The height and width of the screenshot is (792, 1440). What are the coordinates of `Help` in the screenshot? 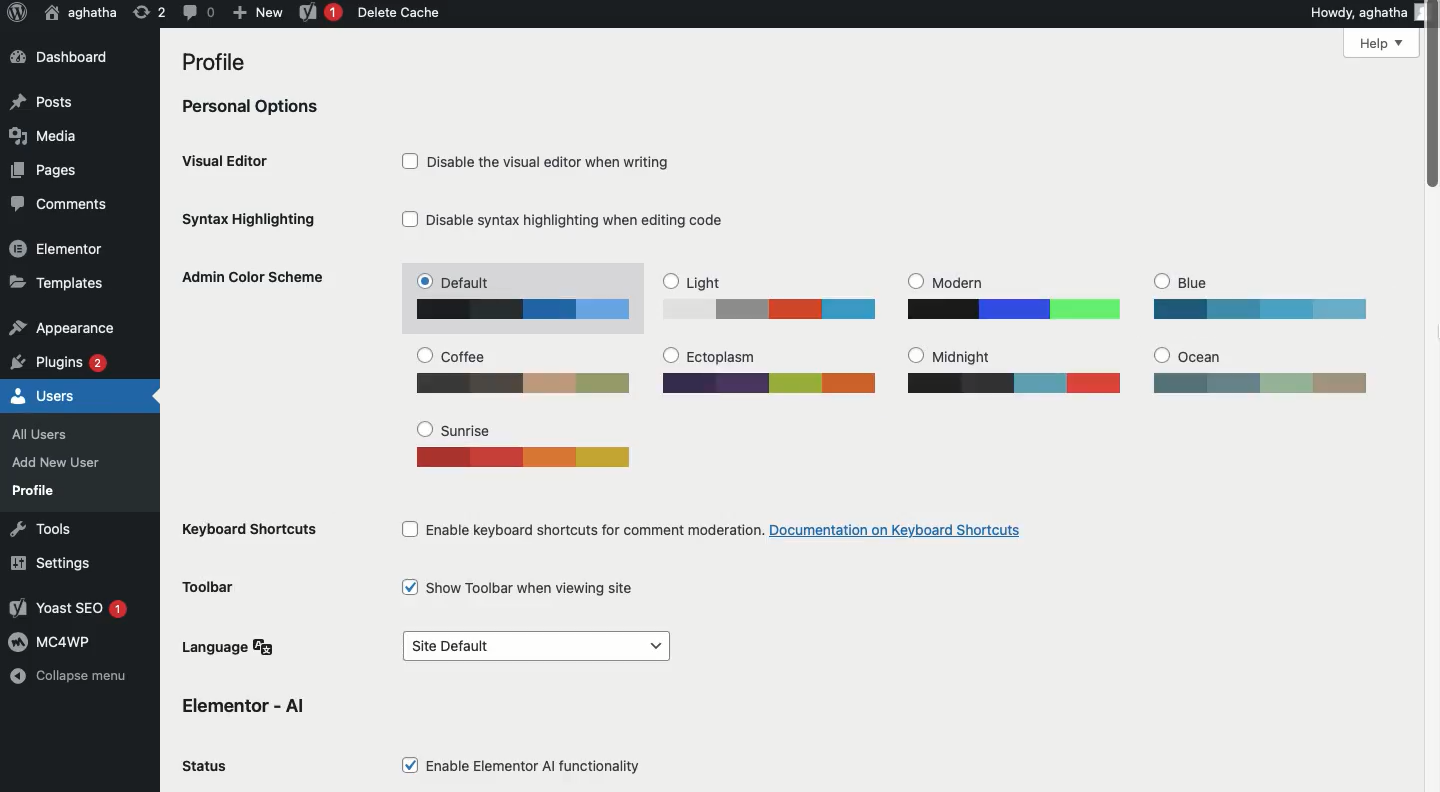 It's located at (1381, 45).